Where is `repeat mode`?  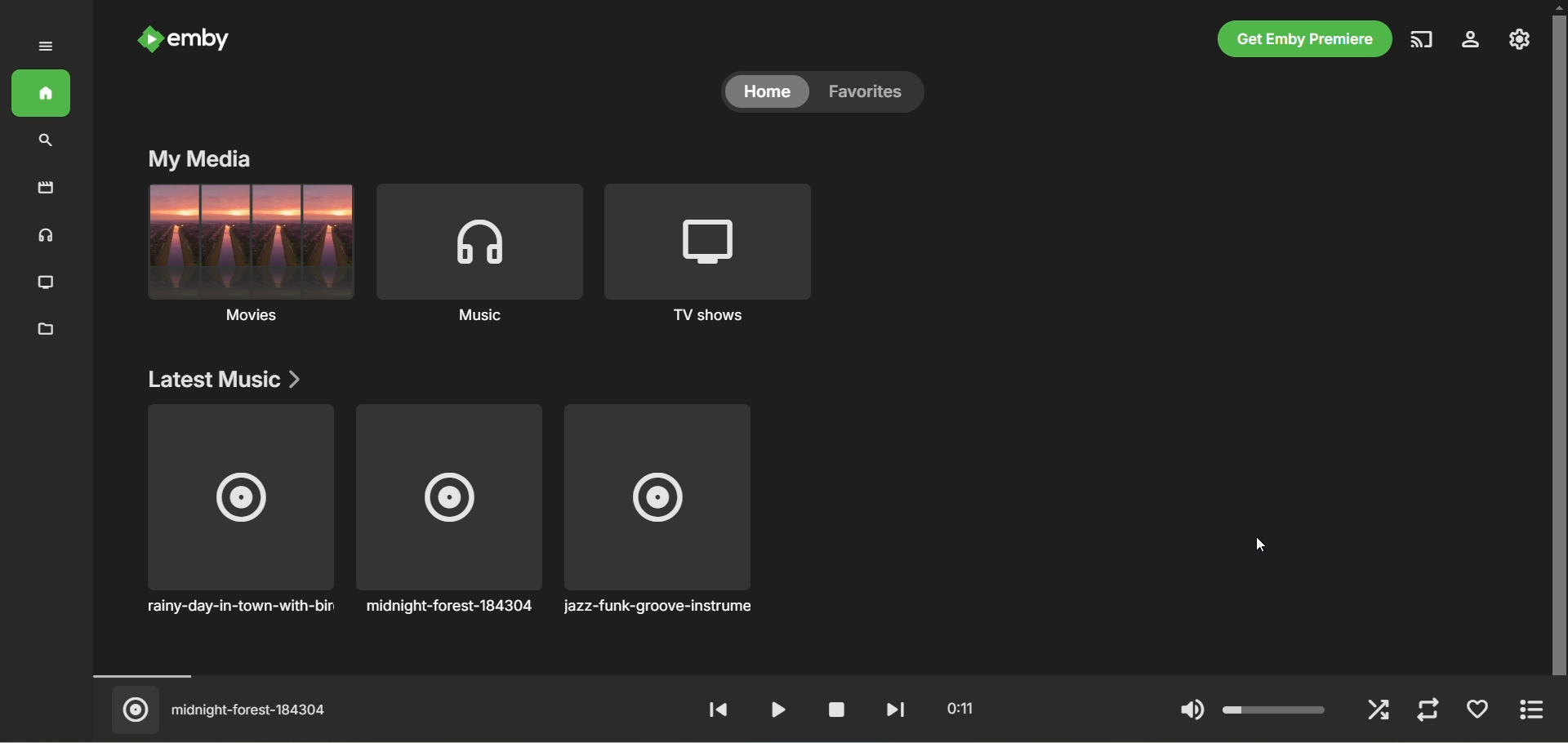 repeat mode is located at coordinates (1428, 711).